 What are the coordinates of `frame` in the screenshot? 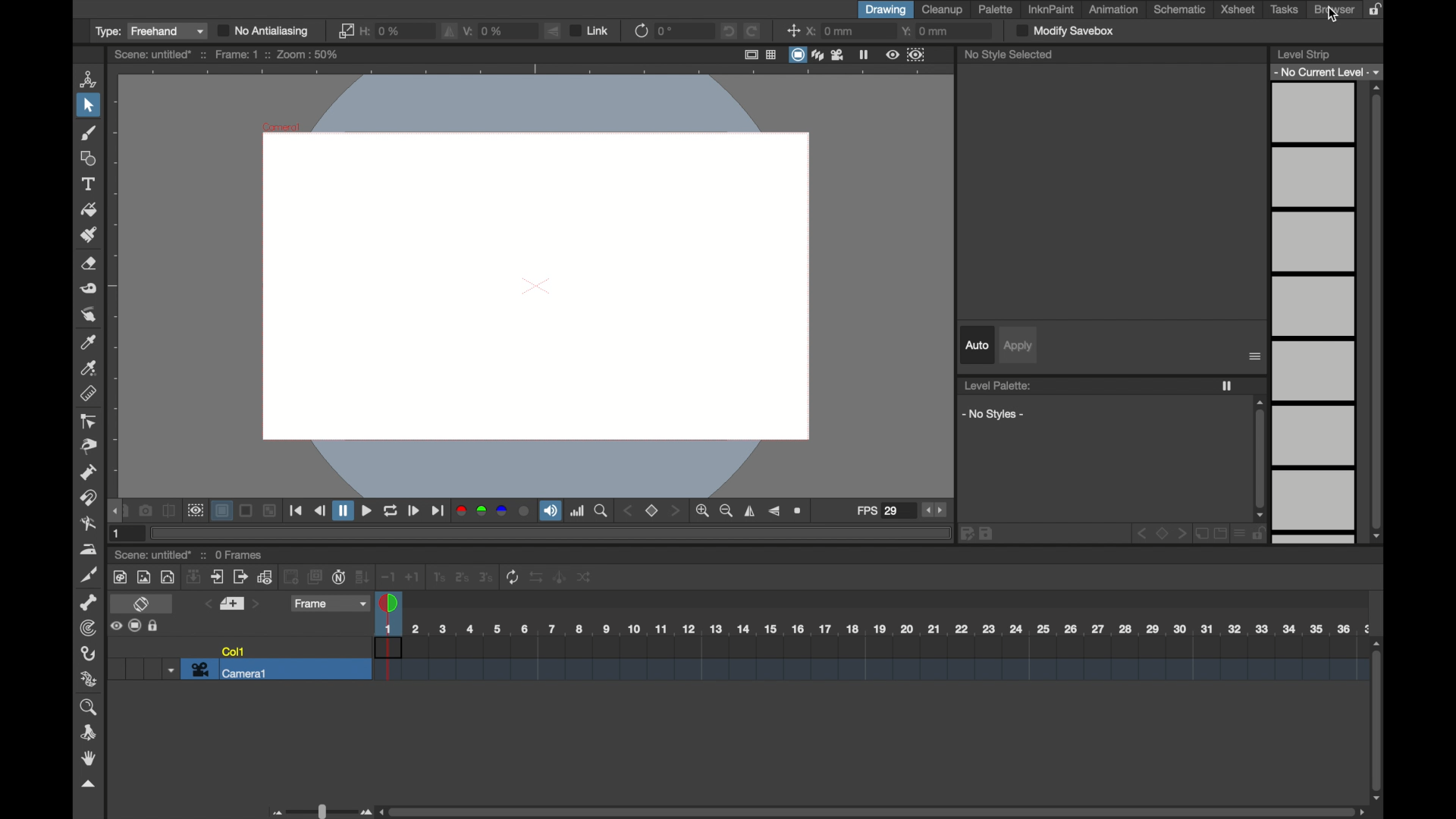 It's located at (917, 55).